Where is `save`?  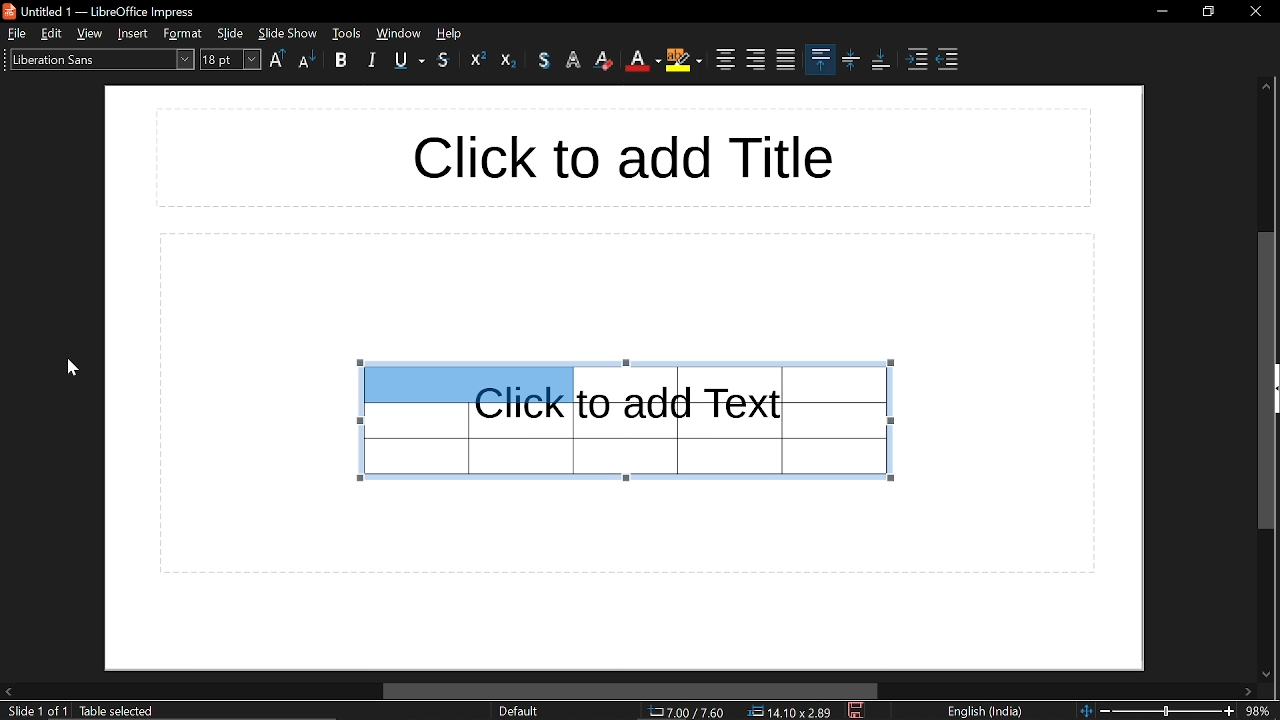
save is located at coordinates (858, 711).